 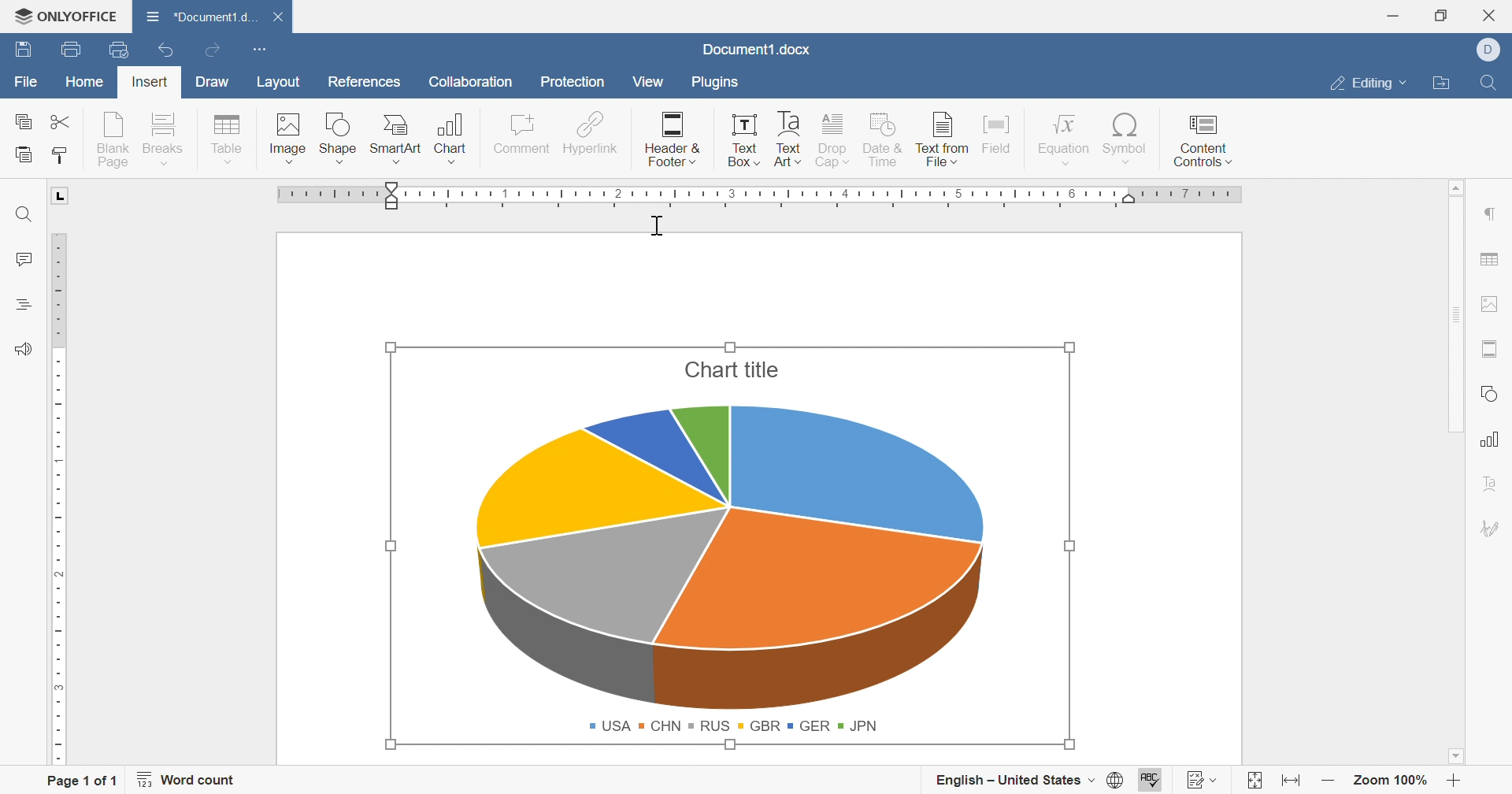 I want to click on Ruler, so click(x=61, y=499).